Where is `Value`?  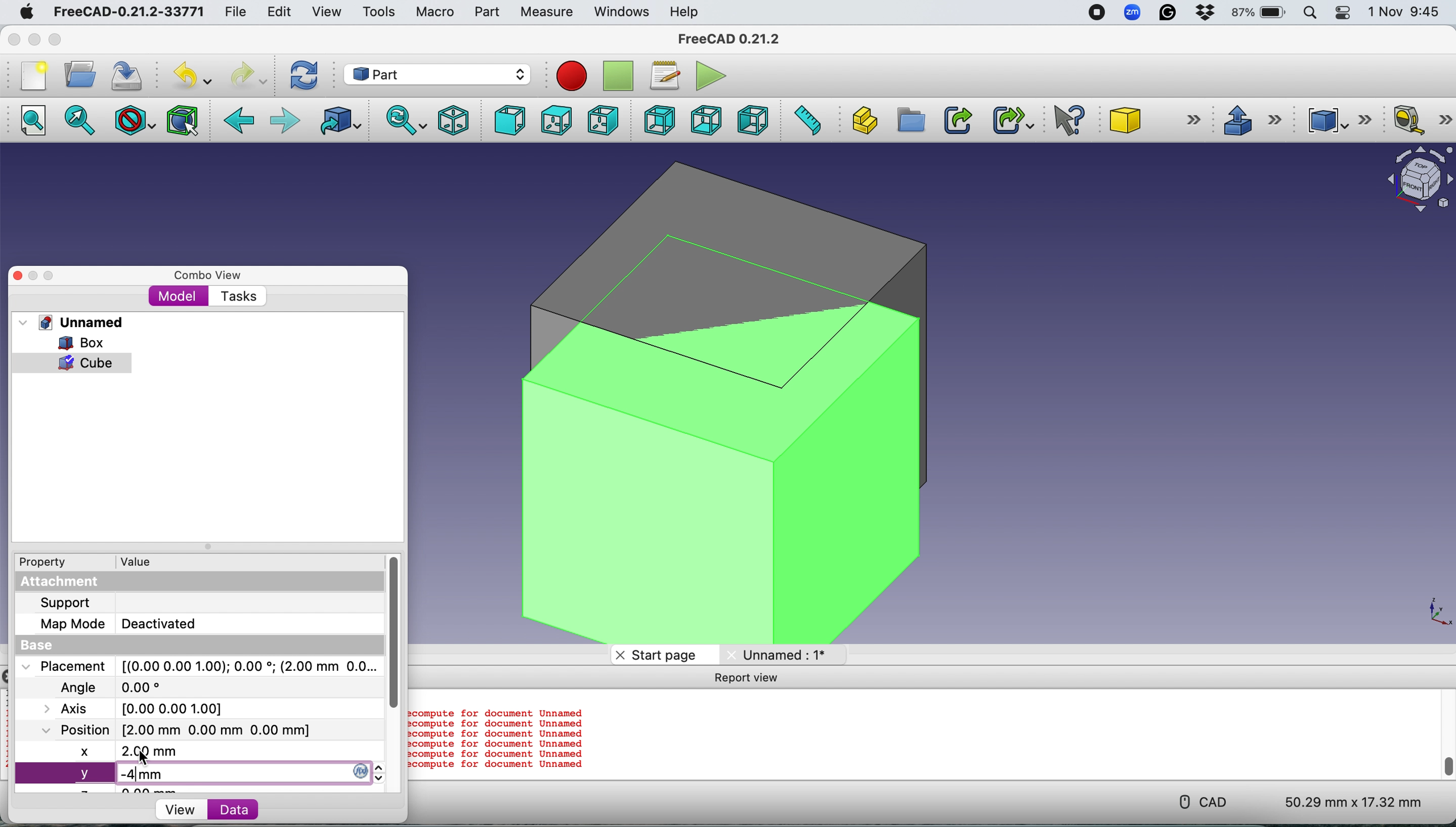 Value is located at coordinates (140, 561).